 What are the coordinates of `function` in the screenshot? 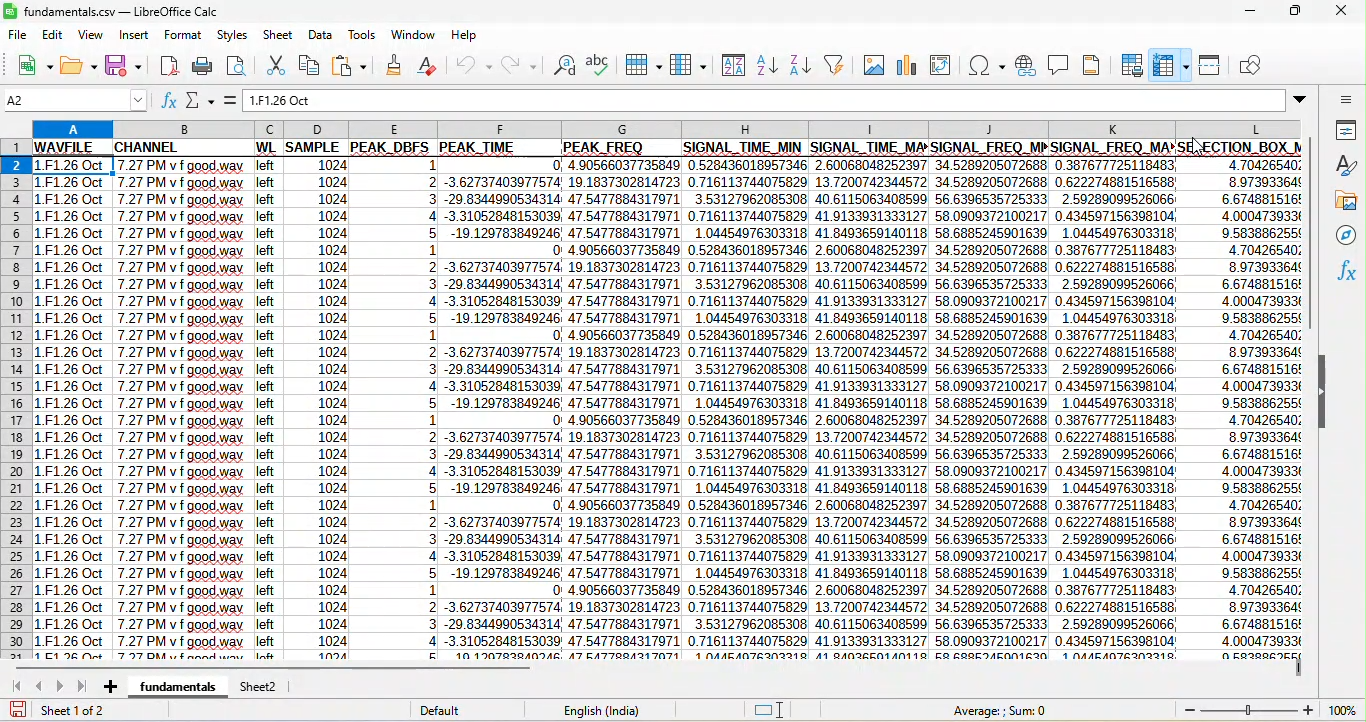 It's located at (1348, 276).